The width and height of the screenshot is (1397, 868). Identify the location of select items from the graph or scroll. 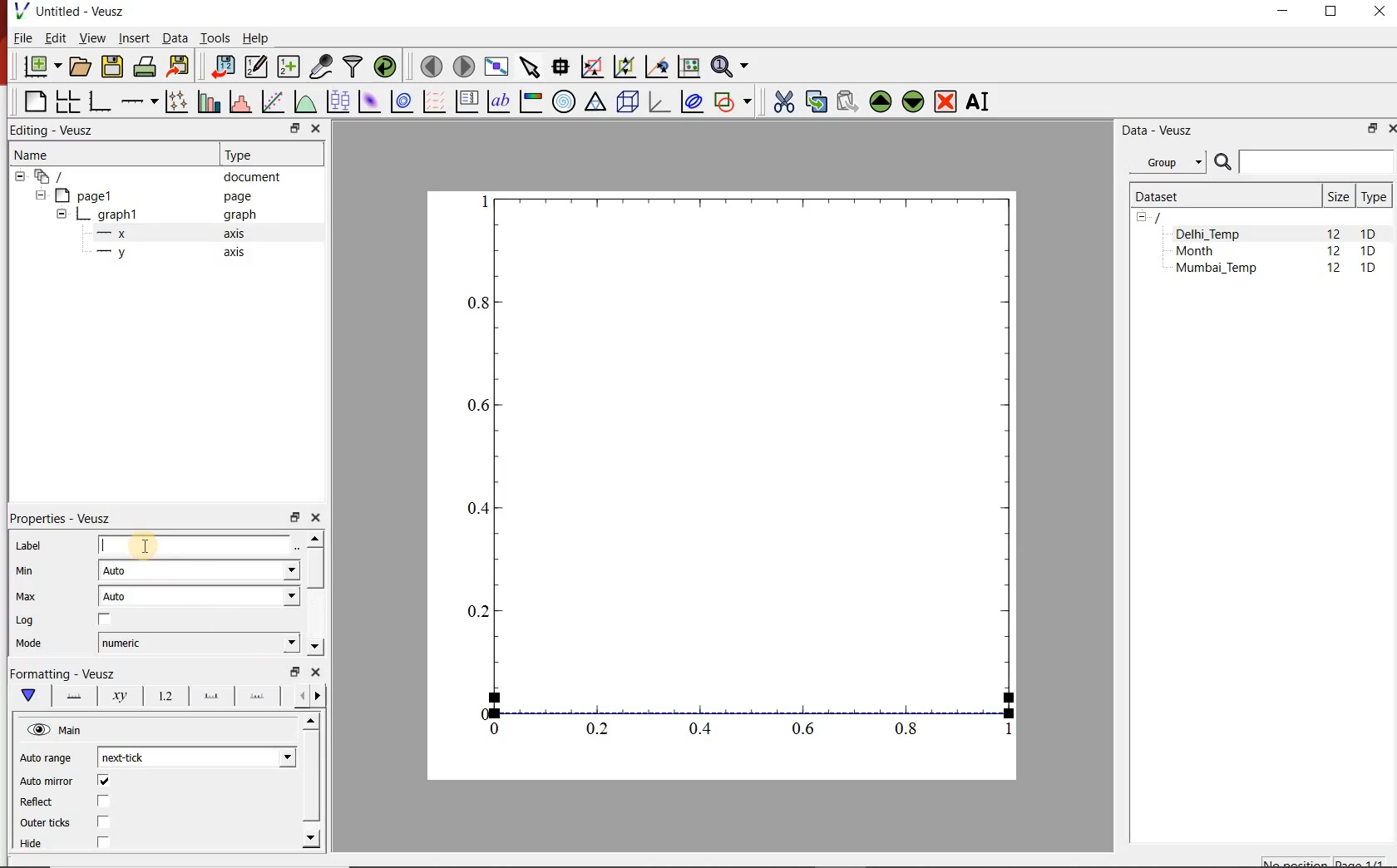
(531, 67).